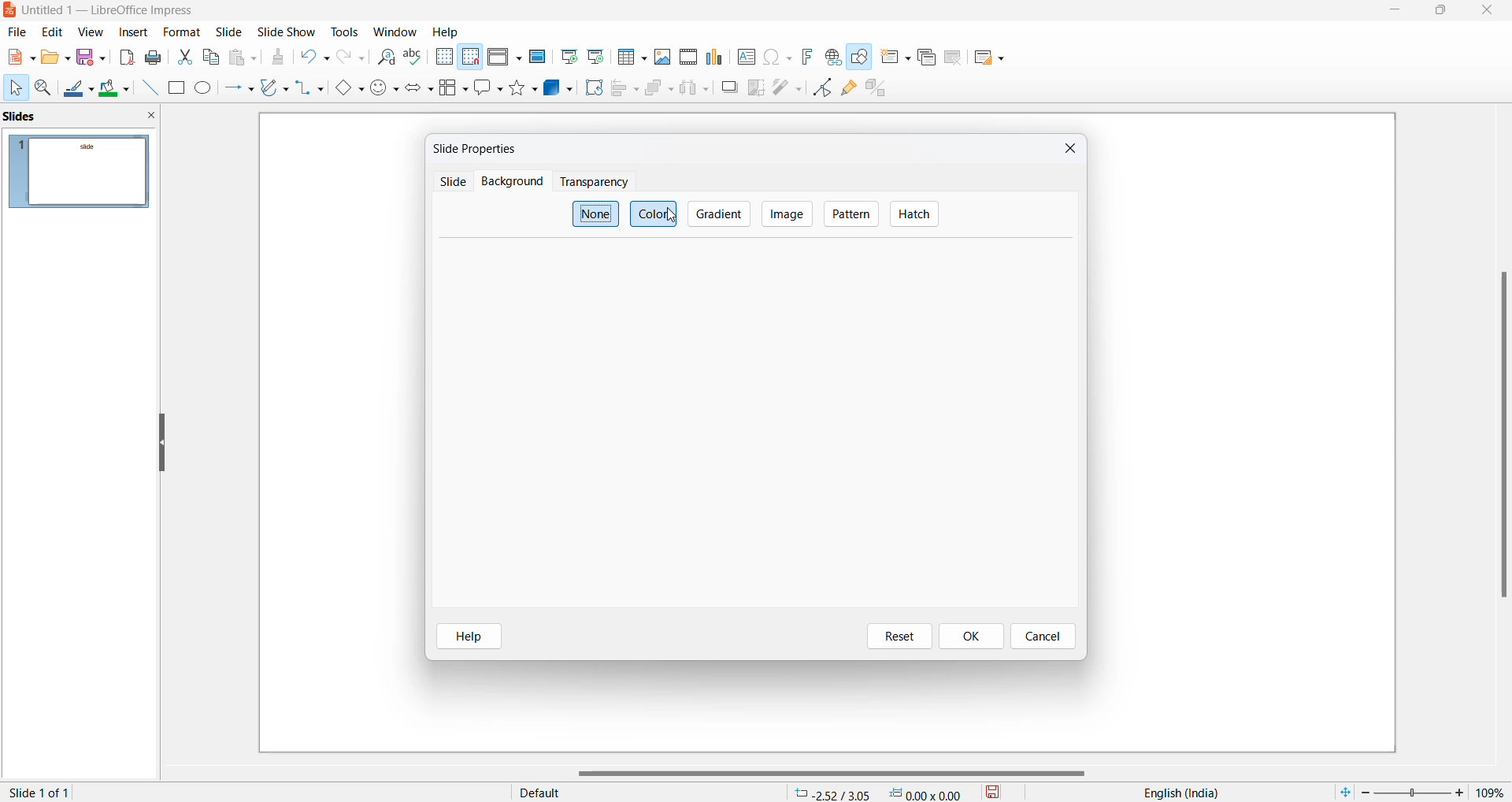 This screenshot has height=802, width=1512. Describe the element at coordinates (79, 90) in the screenshot. I see `line color` at that location.